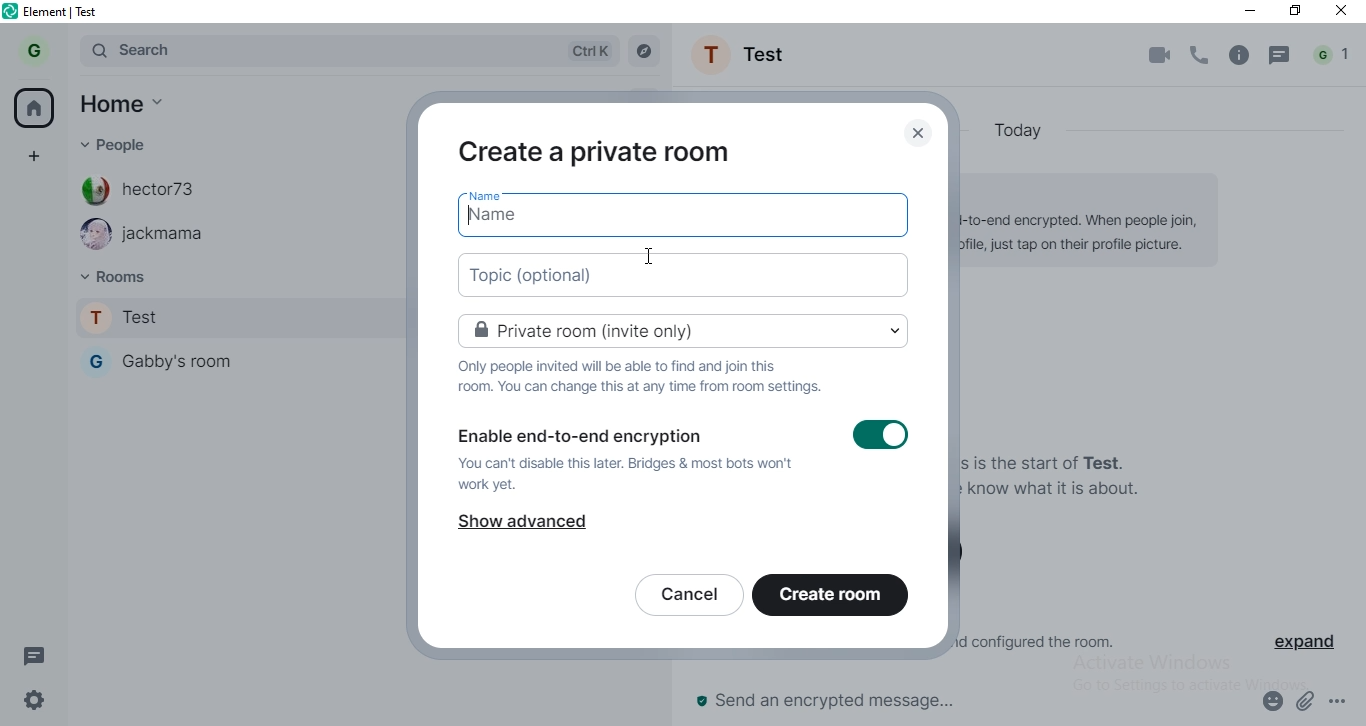 The image size is (1366, 726). I want to click on create a private room, so click(603, 153).